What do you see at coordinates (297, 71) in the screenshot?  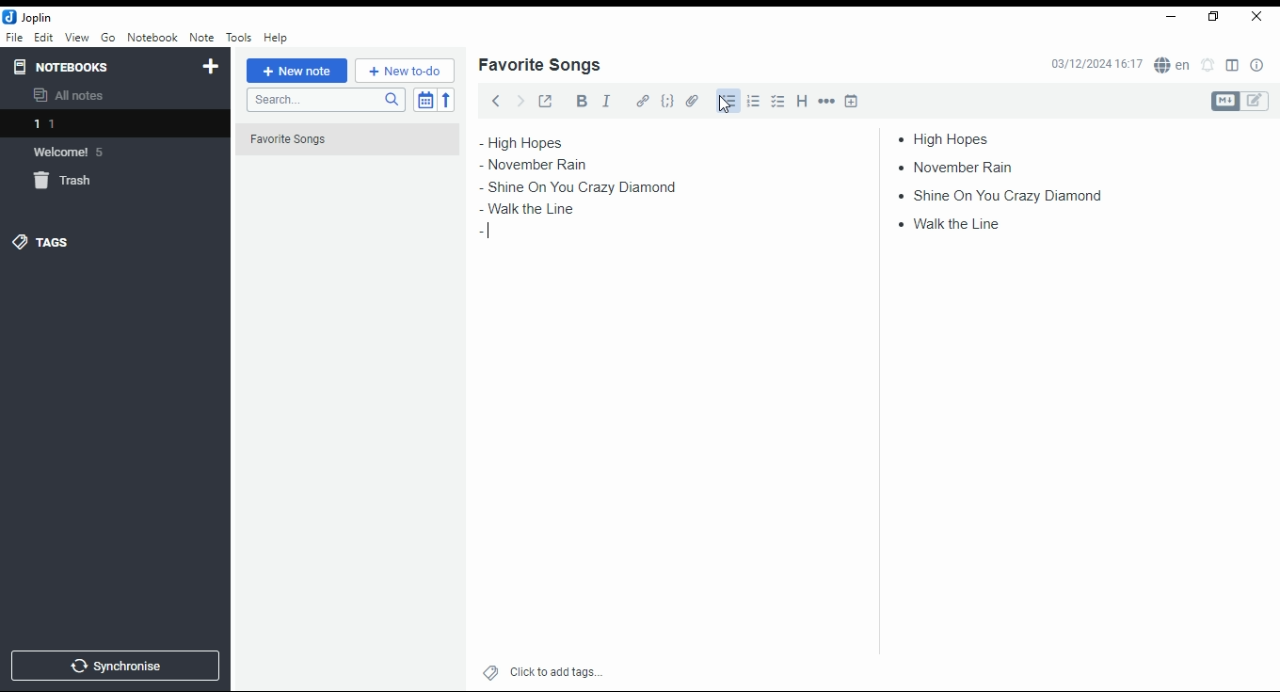 I see `new note` at bounding box center [297, 71].